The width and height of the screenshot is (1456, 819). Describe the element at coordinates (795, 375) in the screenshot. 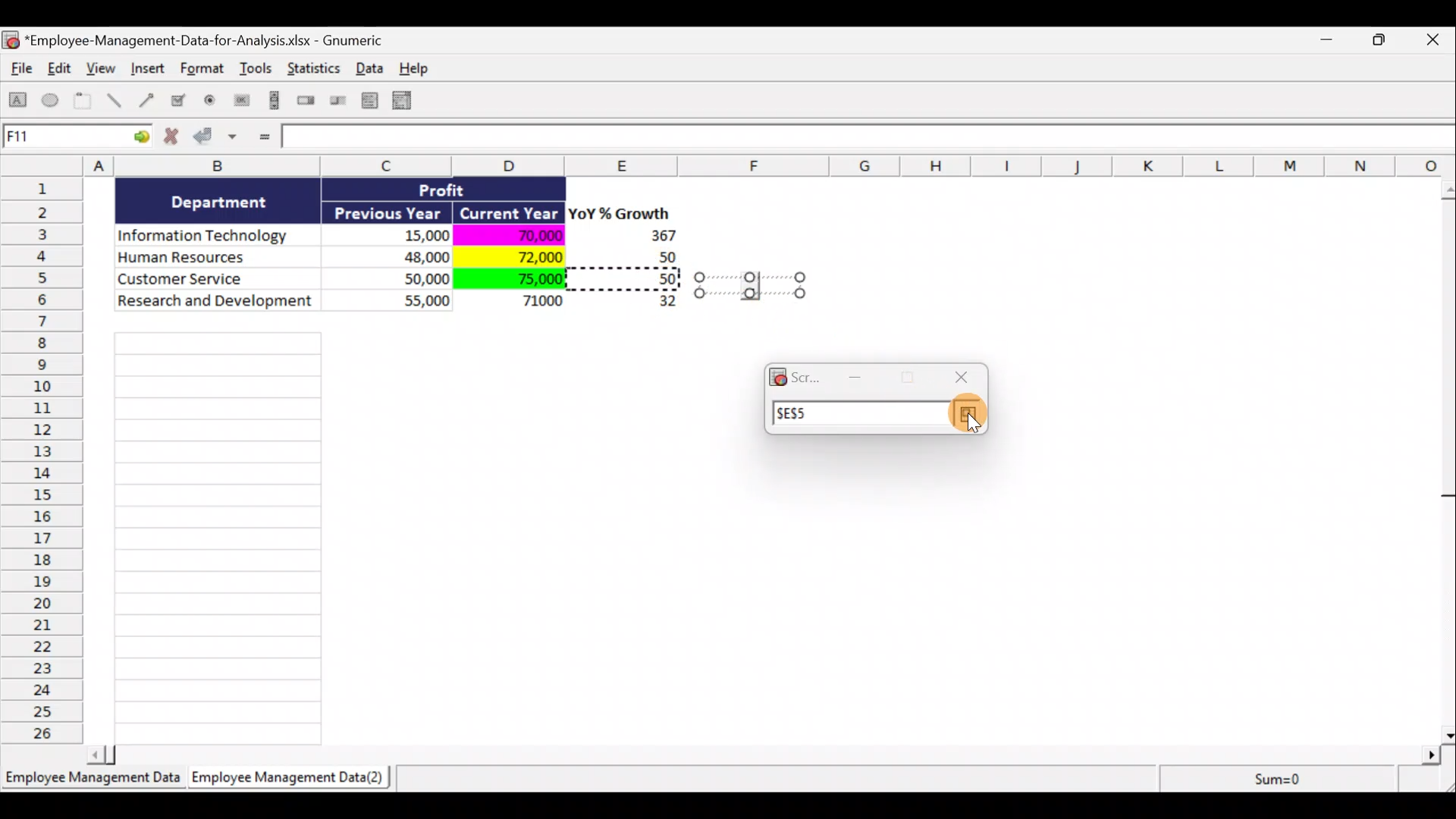

I see `Scr...` at that location.